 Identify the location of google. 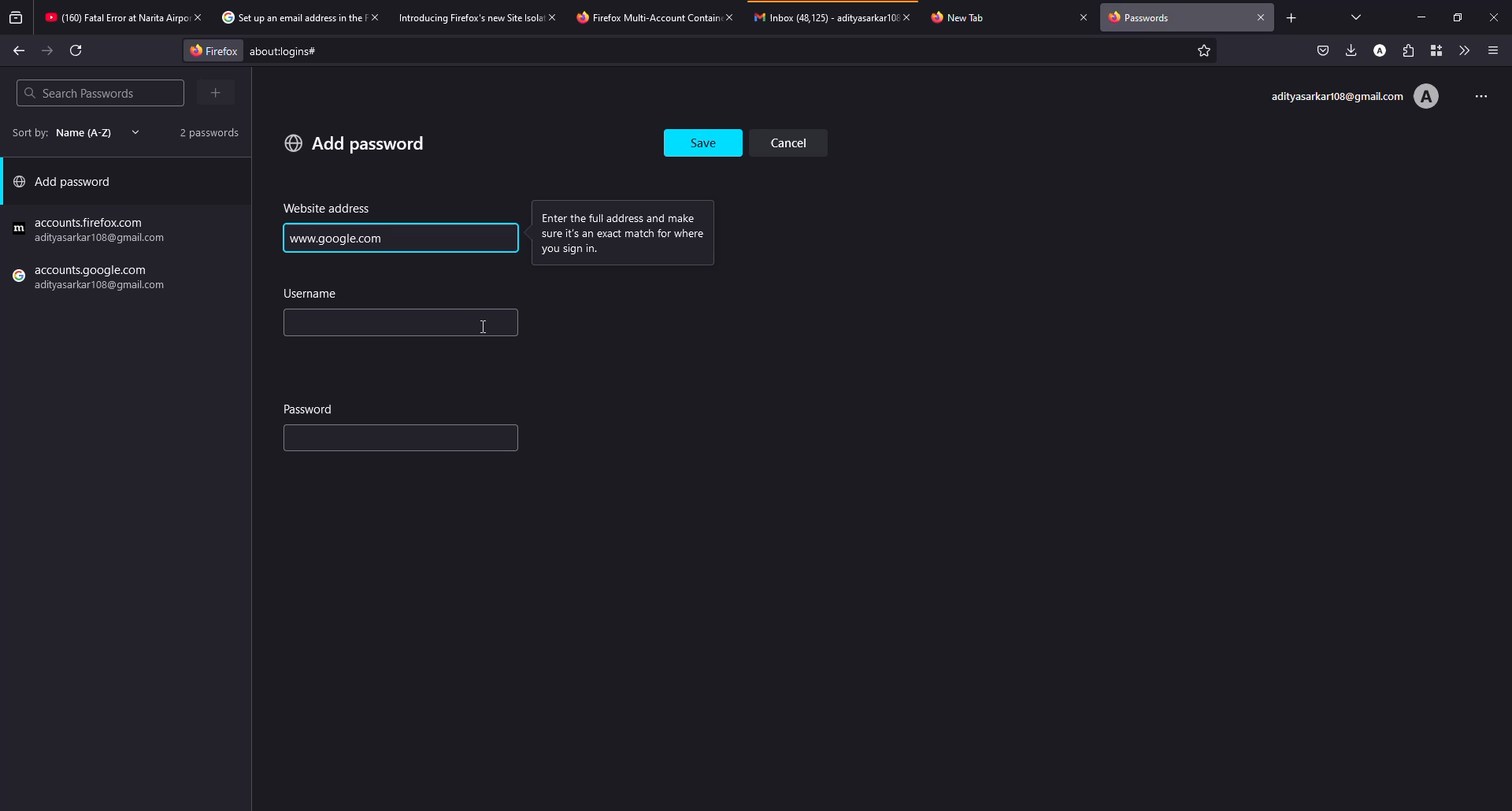
(92, 231).